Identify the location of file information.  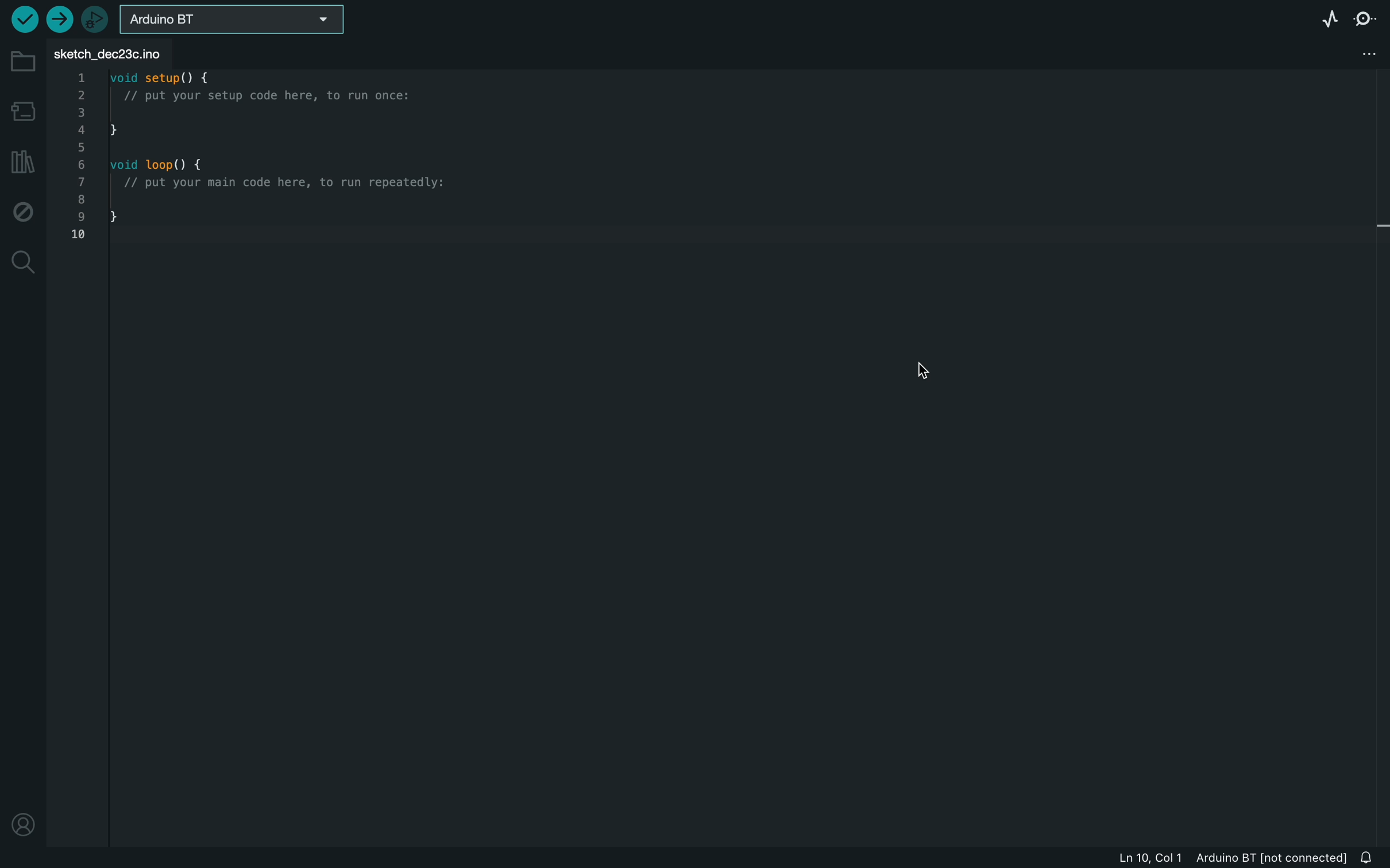
(1220, 858).